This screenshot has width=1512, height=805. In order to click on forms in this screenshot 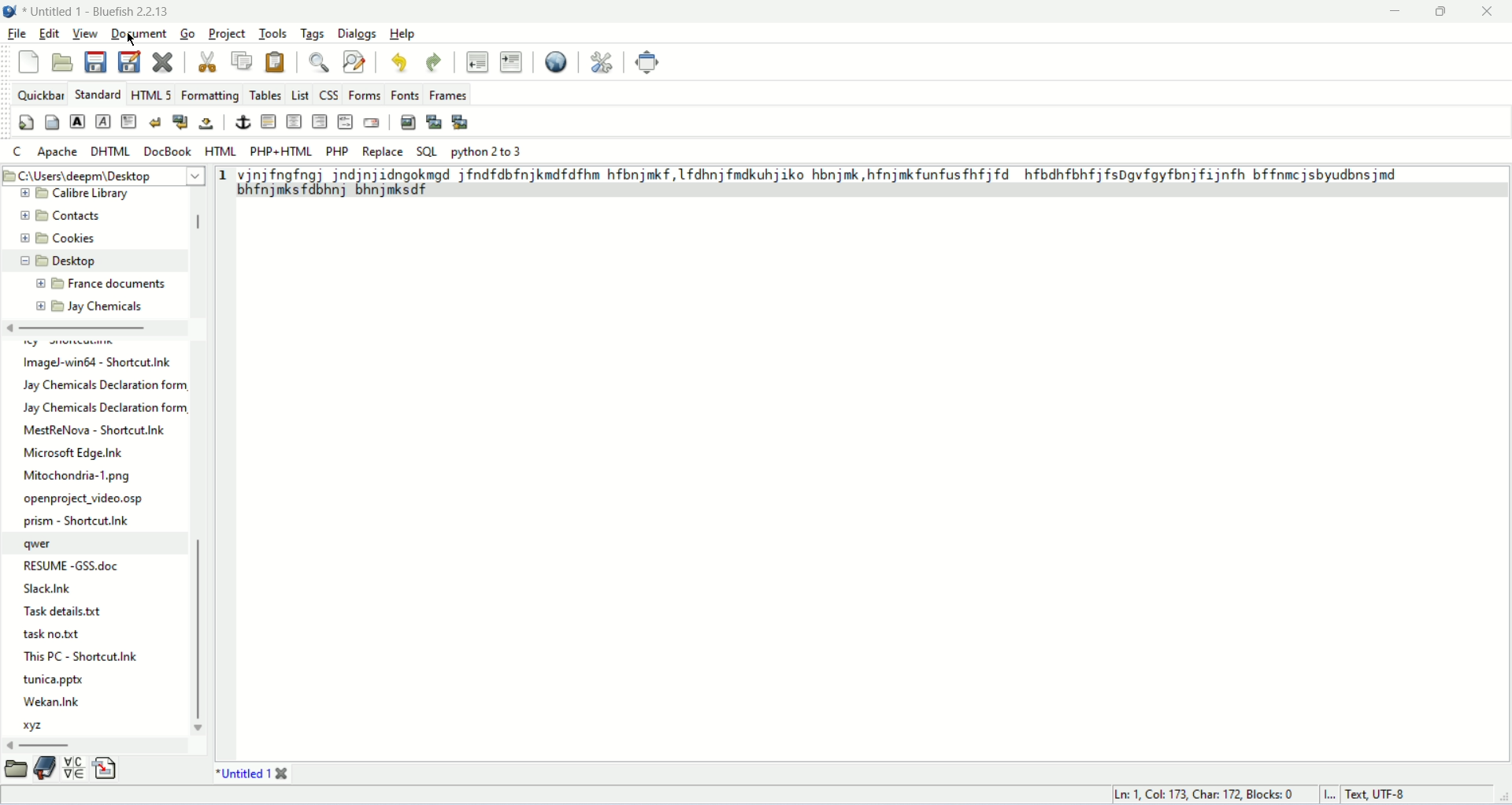, I will do `click(365, 95)`.